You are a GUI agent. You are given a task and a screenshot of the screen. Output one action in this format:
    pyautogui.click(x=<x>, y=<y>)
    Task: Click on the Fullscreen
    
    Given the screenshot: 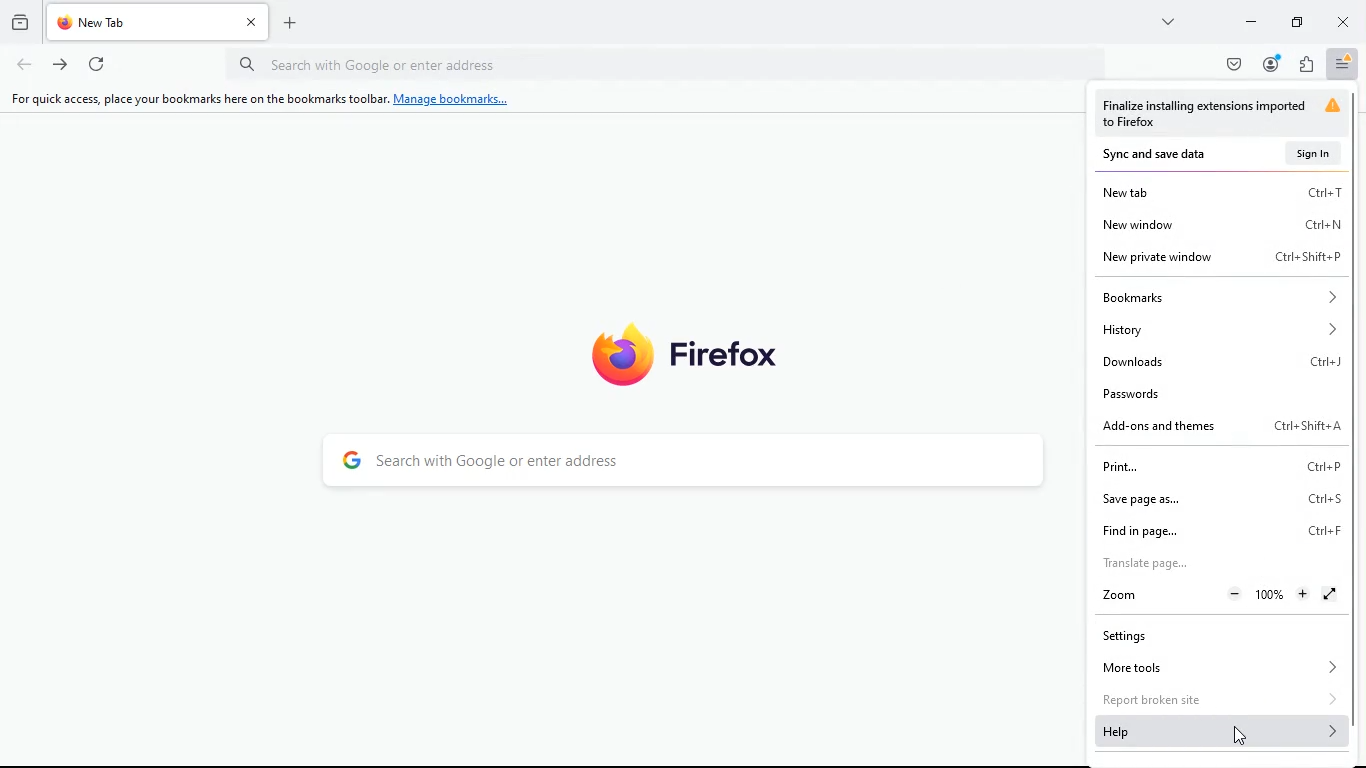 What is the action you would take?
    pyautogui.click(x=1333, y=594)
    